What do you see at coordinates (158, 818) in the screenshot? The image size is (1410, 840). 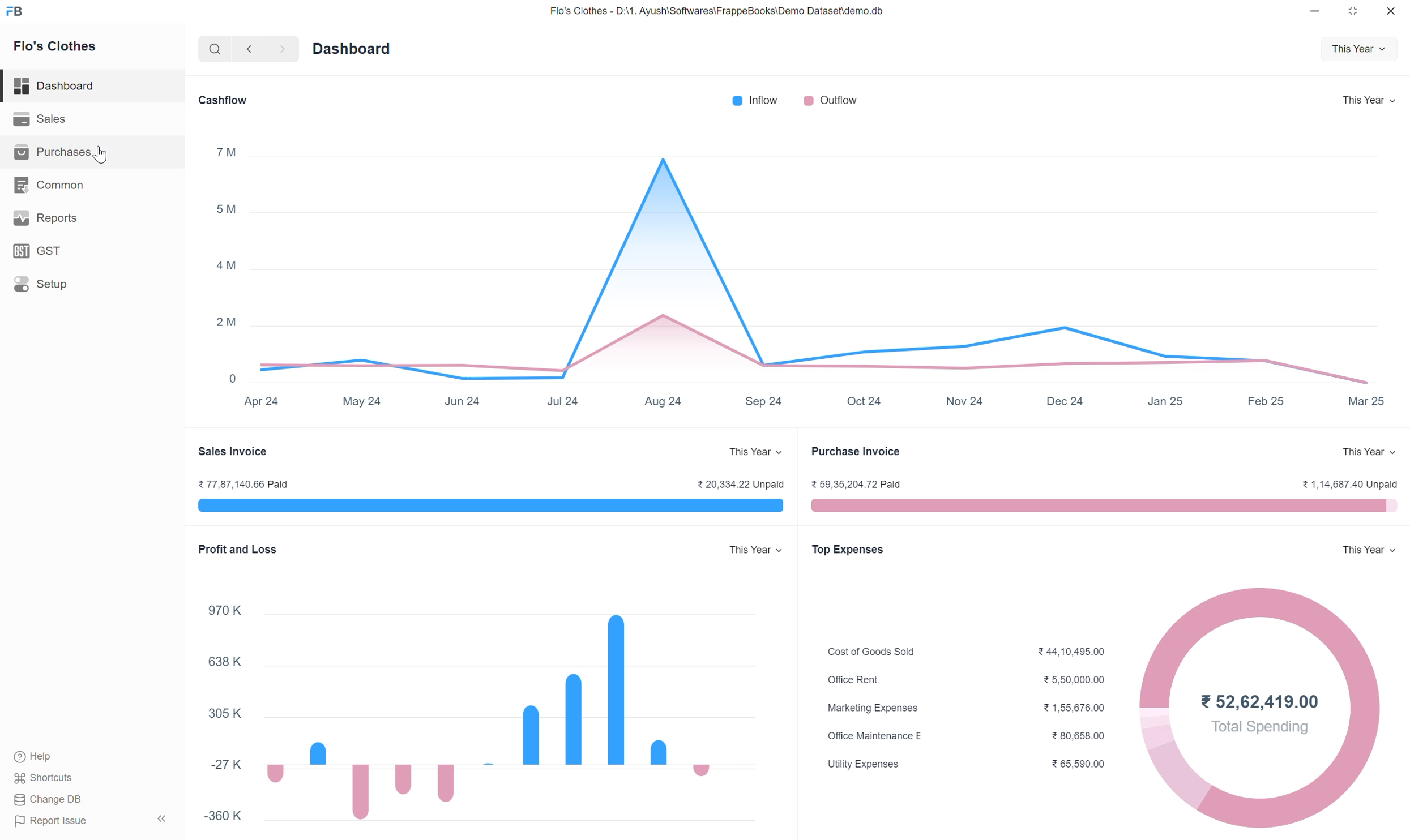 I see `hide` at bounding box center [158, 818].